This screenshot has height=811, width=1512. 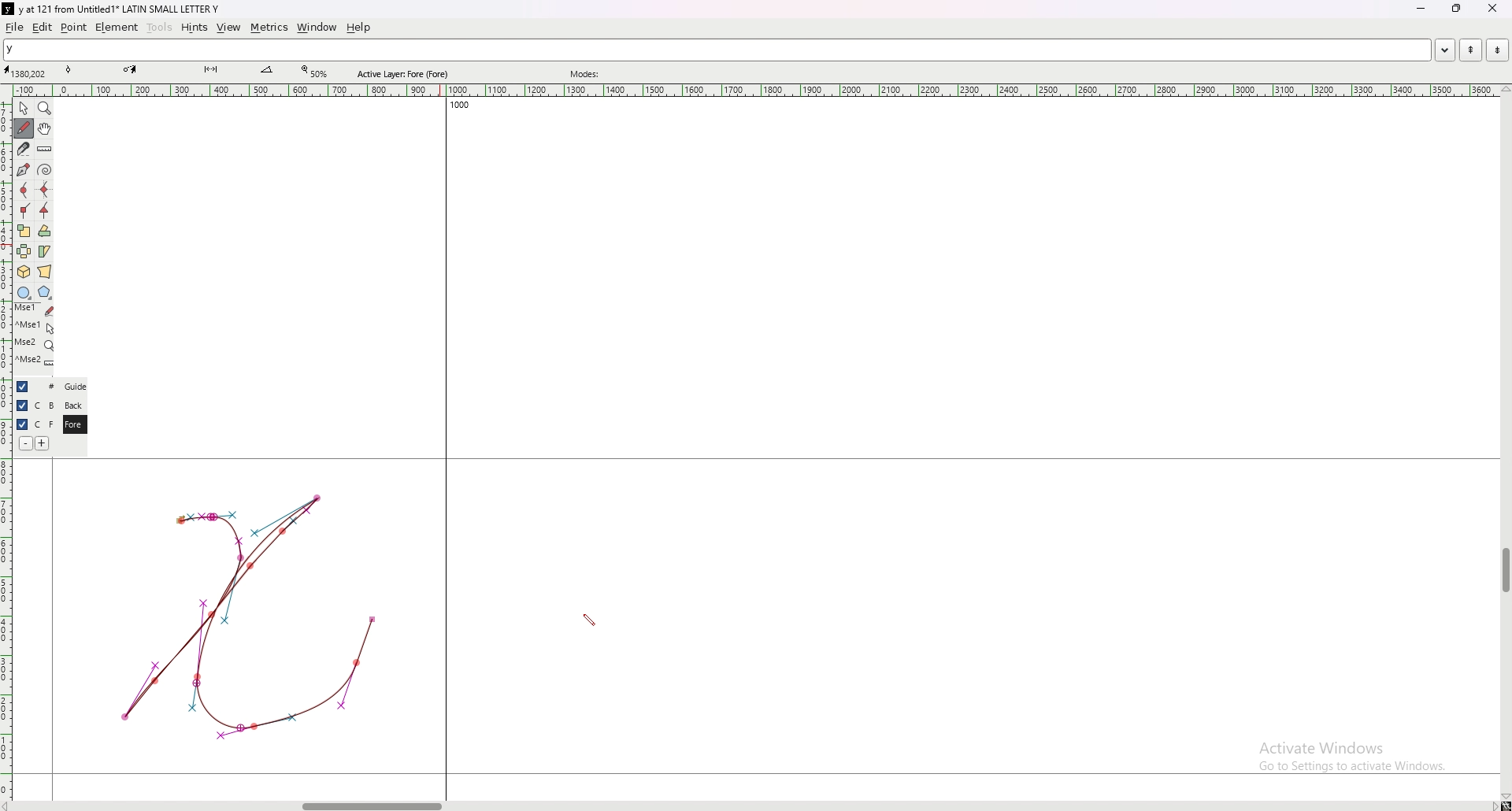 I want to click on previous word, so click(x=1469, y=50).